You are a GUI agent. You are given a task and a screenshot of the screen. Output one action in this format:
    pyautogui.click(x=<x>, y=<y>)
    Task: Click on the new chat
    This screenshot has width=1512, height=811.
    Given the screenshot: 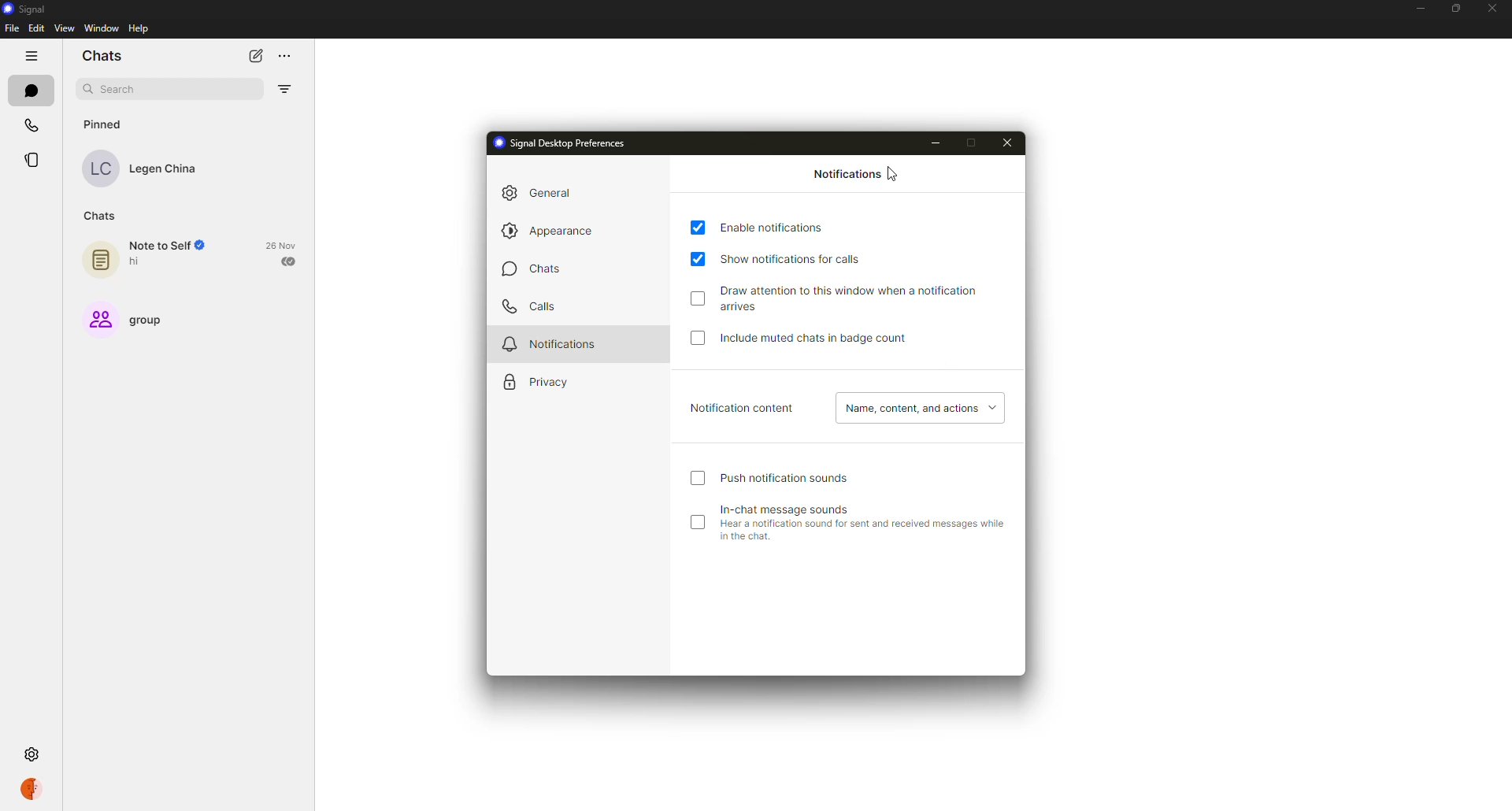 What is the action you would take?
    pyautogui.click(x=255, y=57)
    